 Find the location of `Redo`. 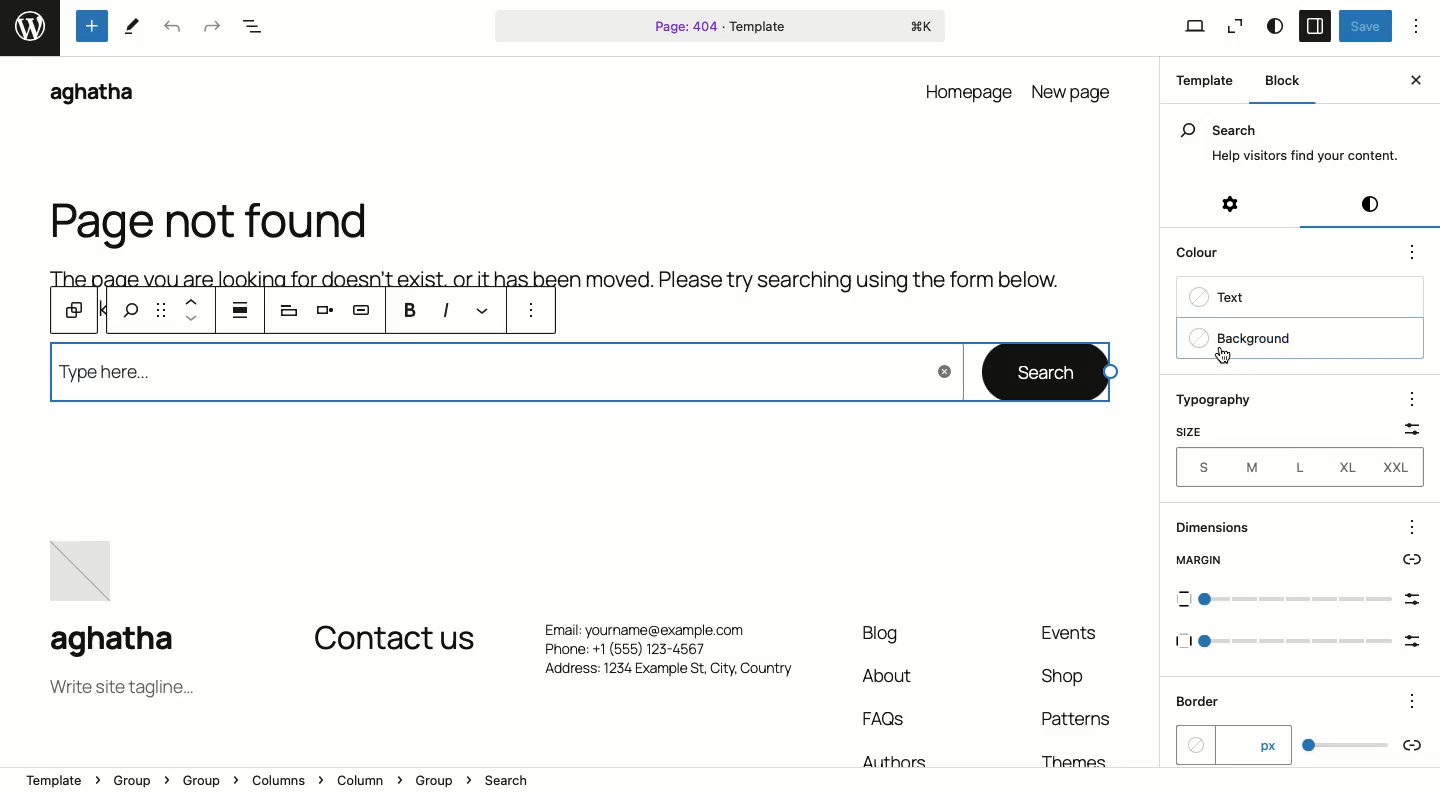

Redo is located at coordinates (209, 27).